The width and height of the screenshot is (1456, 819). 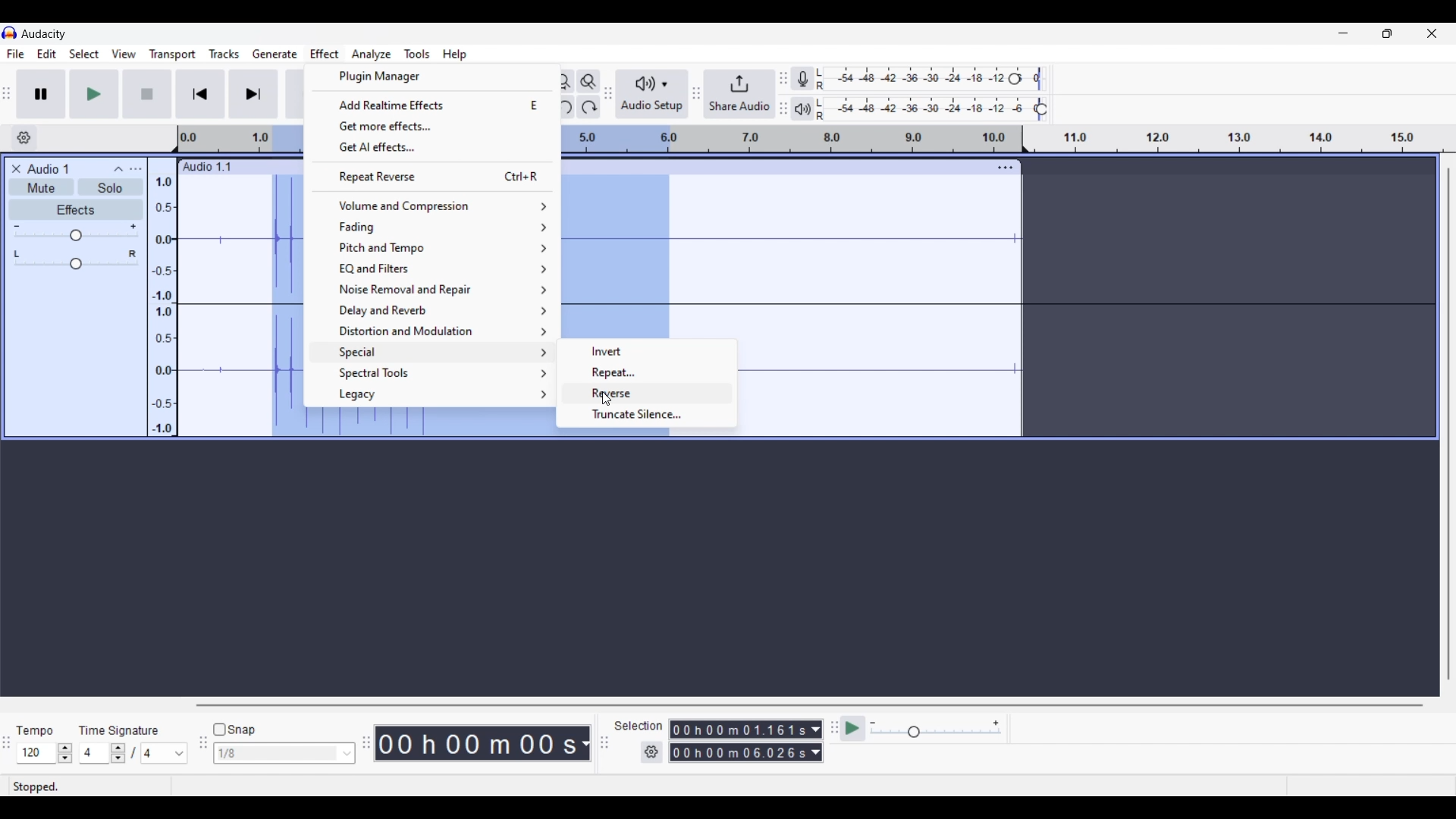 I want to click on Undo, so click(x=562, y=107).